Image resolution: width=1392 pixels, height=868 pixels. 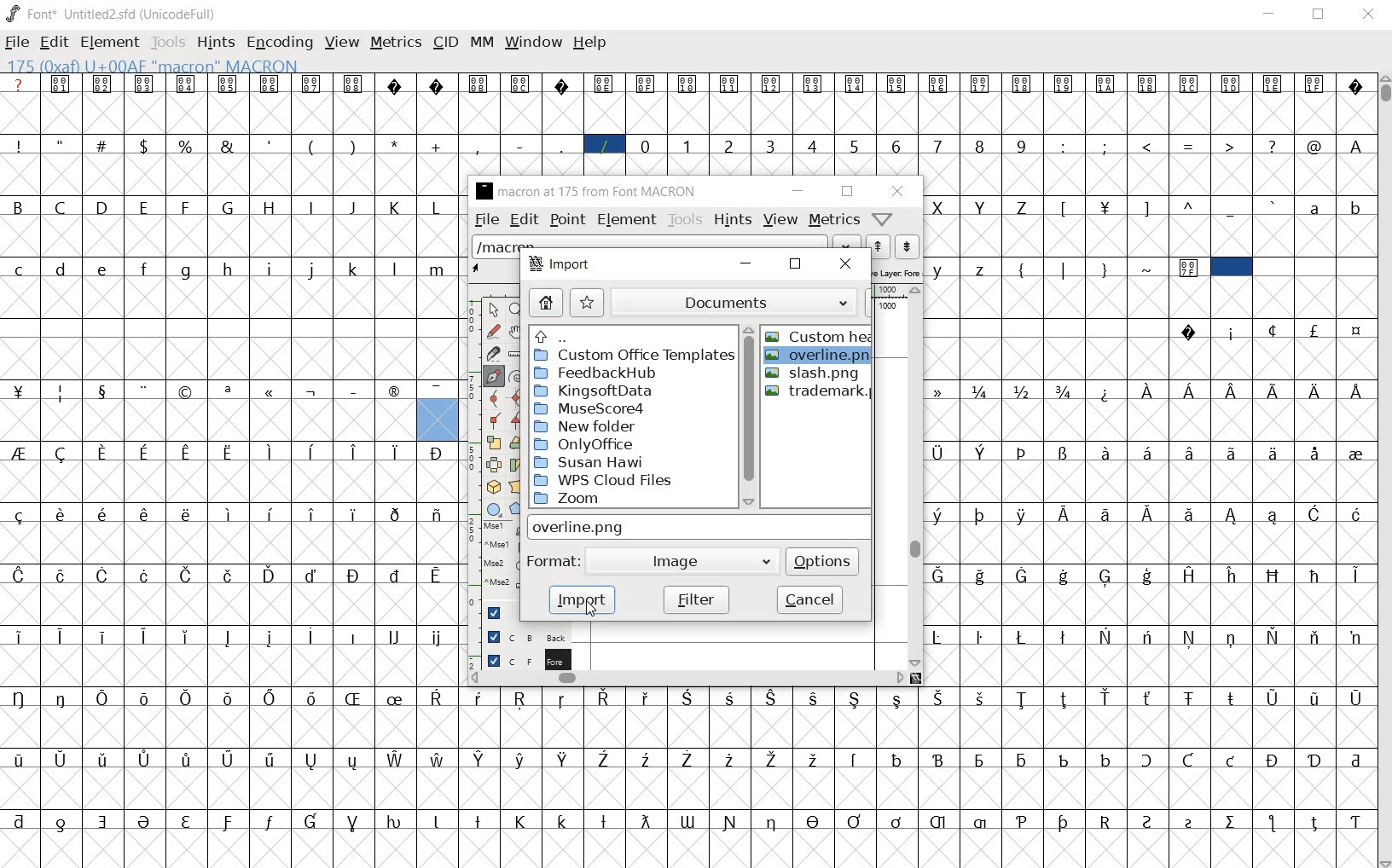 What do you see at coordinates (20, 698) in the screenshot?
I see `Symbol` at bounding box center [20, 698].